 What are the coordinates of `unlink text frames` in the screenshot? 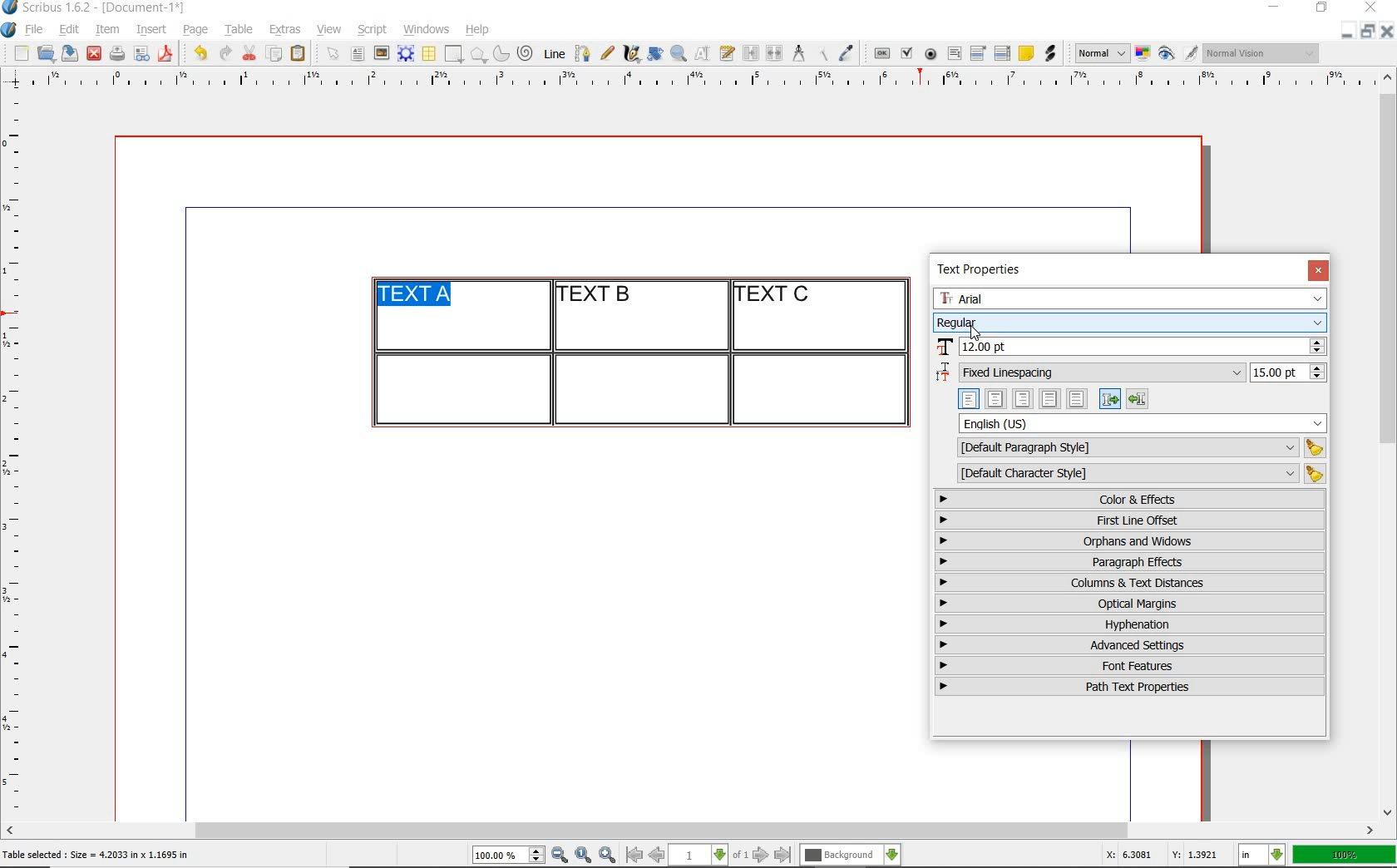 It's located at (774, 54).